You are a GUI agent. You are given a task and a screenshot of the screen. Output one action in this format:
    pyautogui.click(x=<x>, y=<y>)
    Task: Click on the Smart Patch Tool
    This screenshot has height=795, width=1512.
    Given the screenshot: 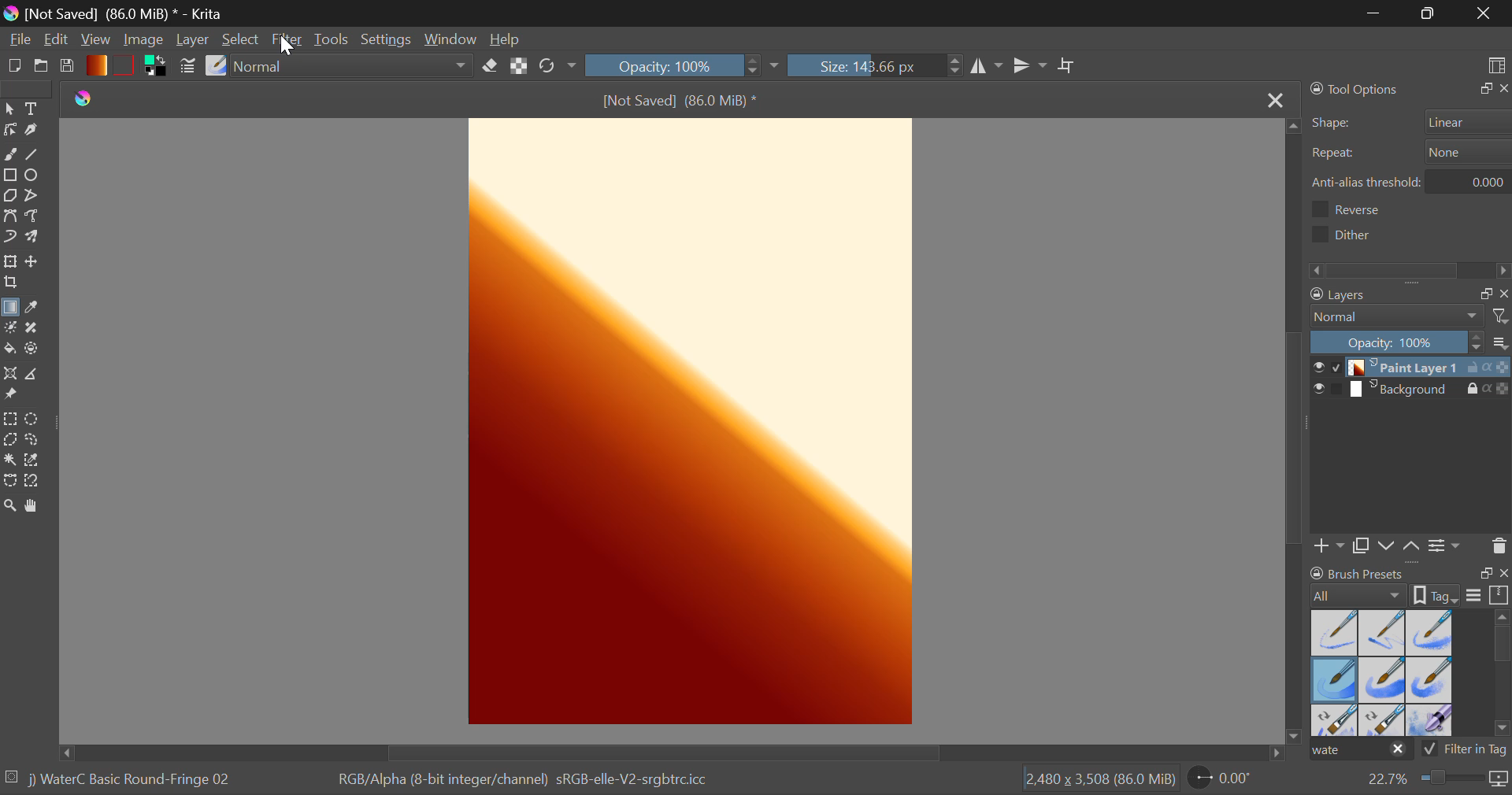 What is the action you would take?
    pyautogui.click(x=38, y=327)
    